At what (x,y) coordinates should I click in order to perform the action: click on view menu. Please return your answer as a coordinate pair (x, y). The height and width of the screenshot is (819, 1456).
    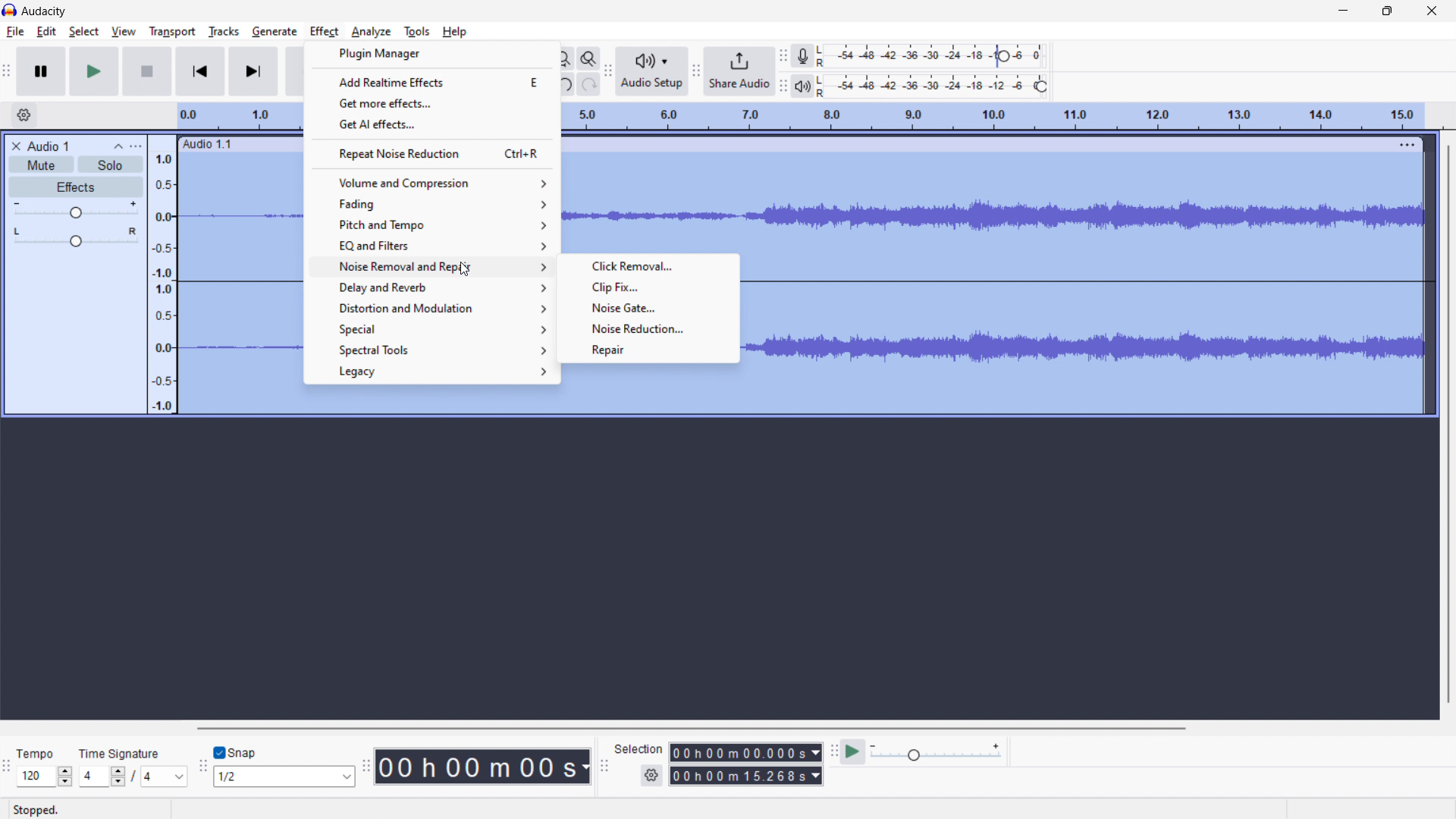
    Looking at the image, I should click on (137, 146).